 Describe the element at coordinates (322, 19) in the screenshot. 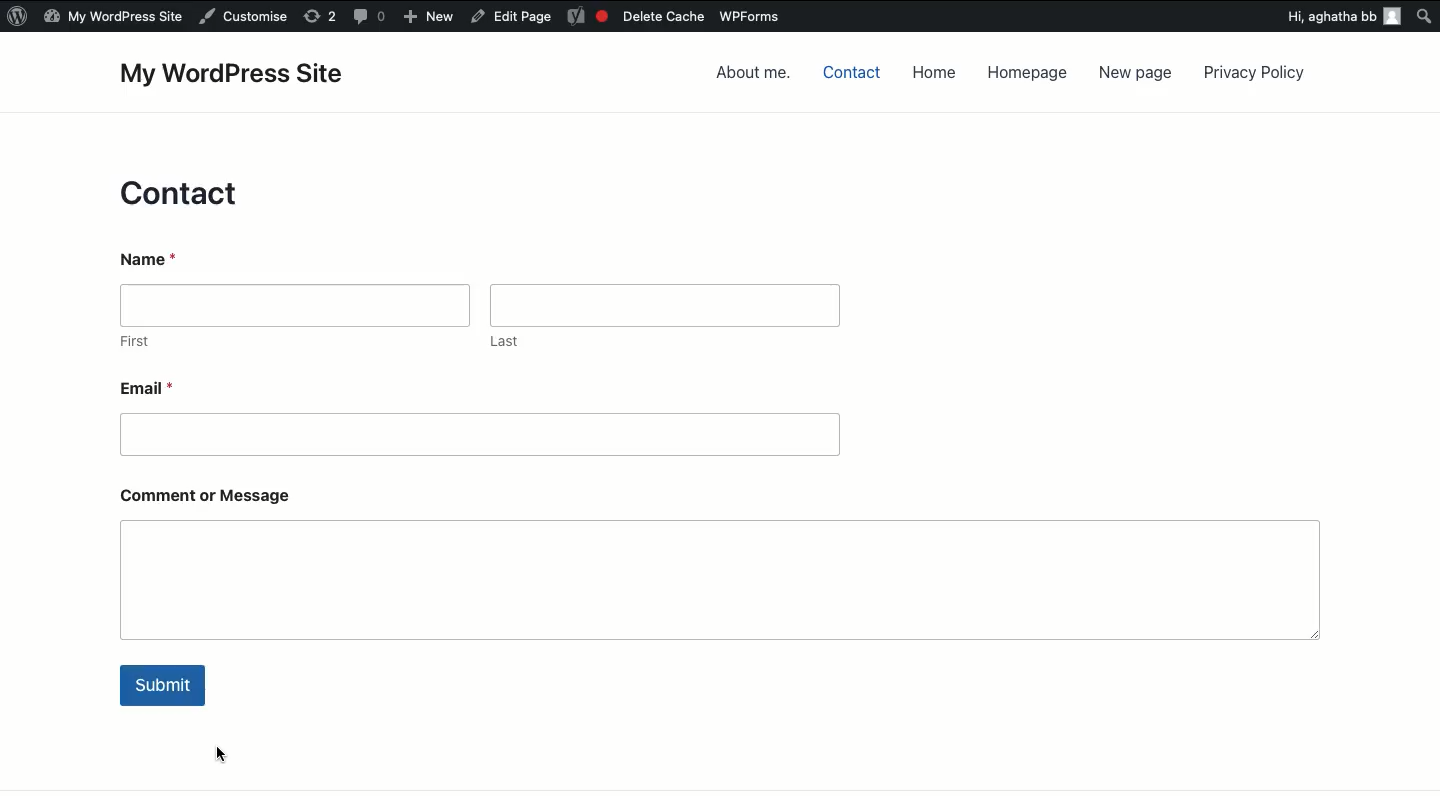

I see `refresh` at that location.